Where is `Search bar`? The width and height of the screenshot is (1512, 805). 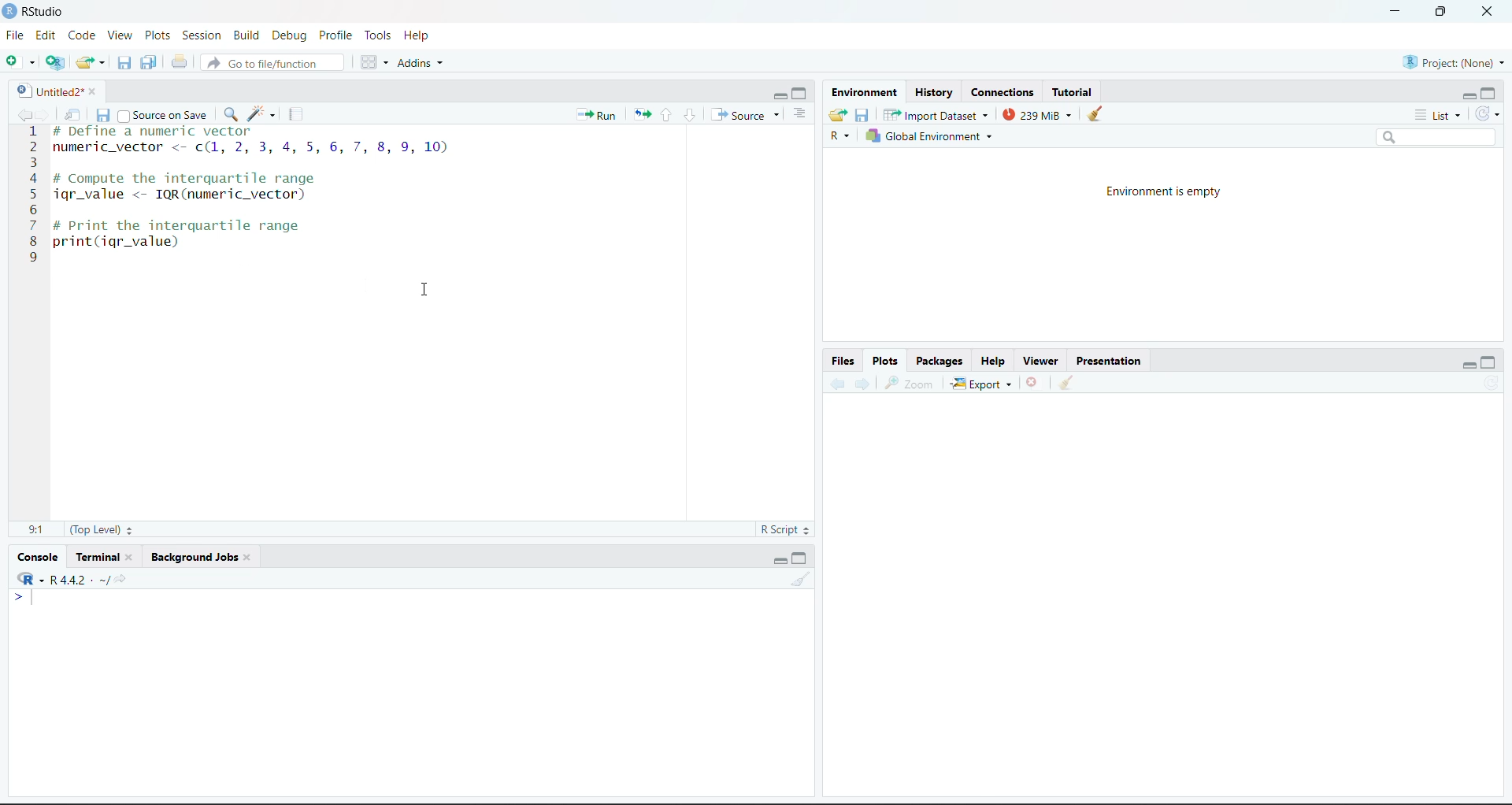
Search bar is located at coordinates (1444, 139).